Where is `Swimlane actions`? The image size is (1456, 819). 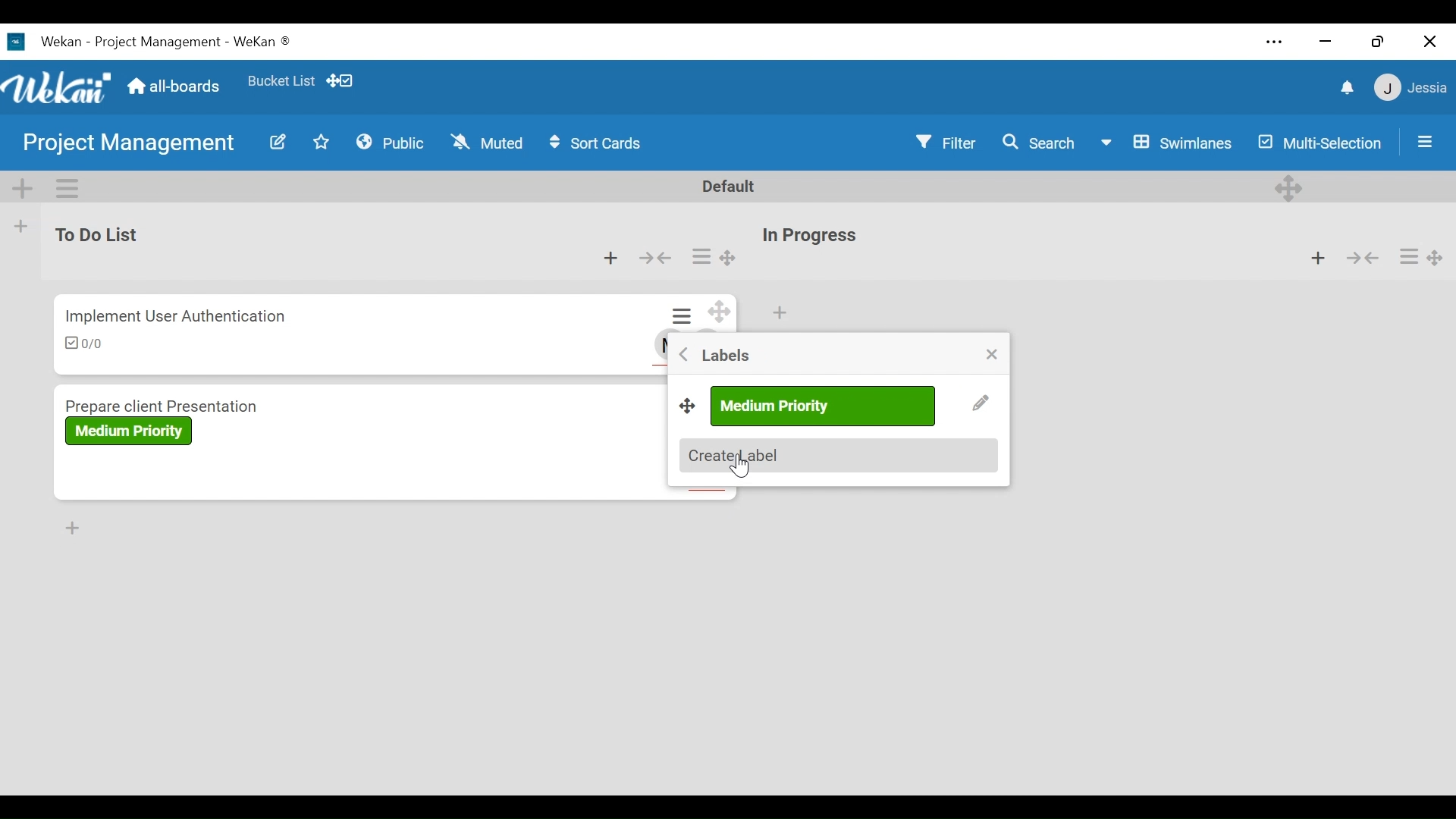 Swimlane actions is located at coordinates (69, 186).